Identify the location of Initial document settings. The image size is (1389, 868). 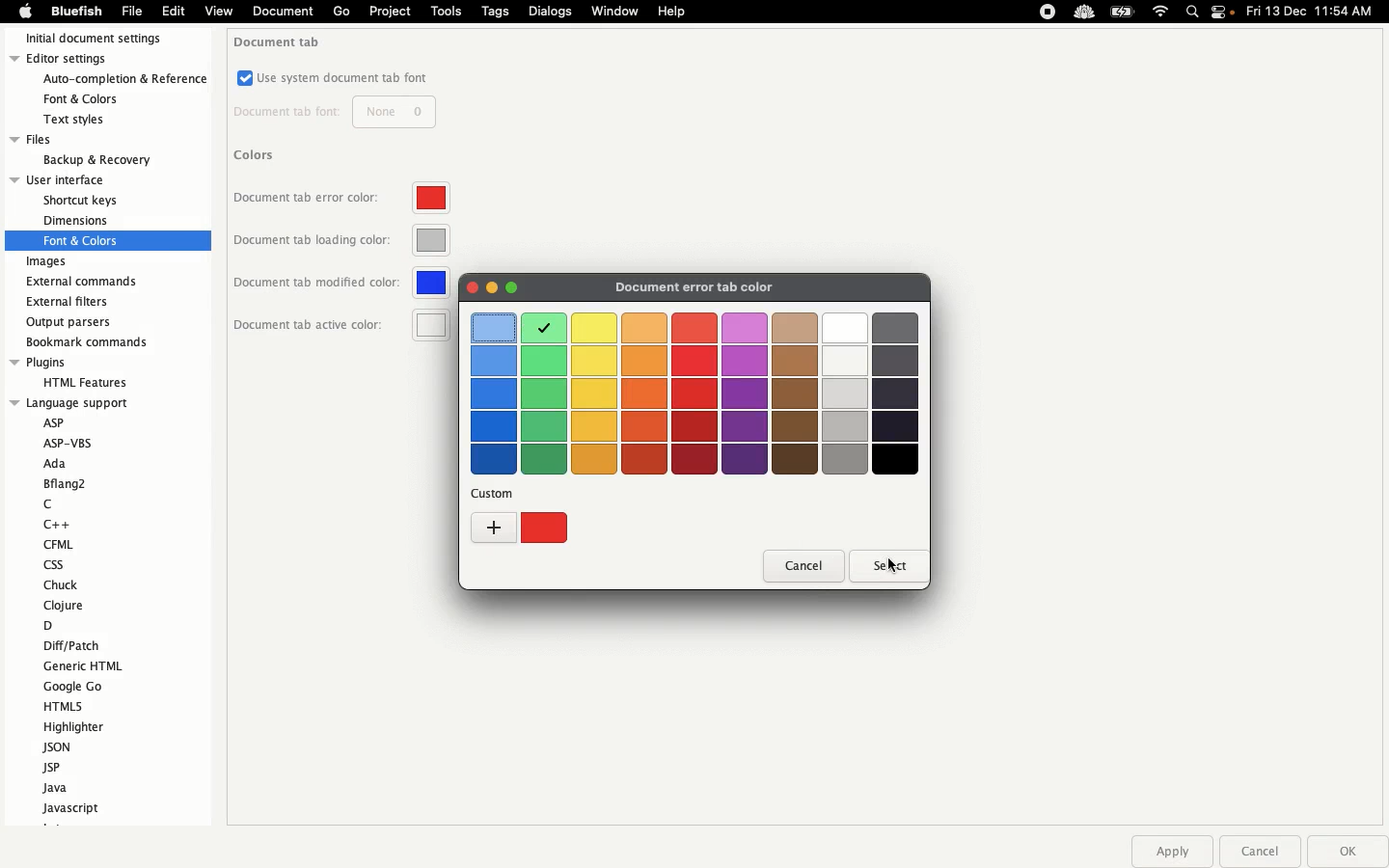
(102, 40).